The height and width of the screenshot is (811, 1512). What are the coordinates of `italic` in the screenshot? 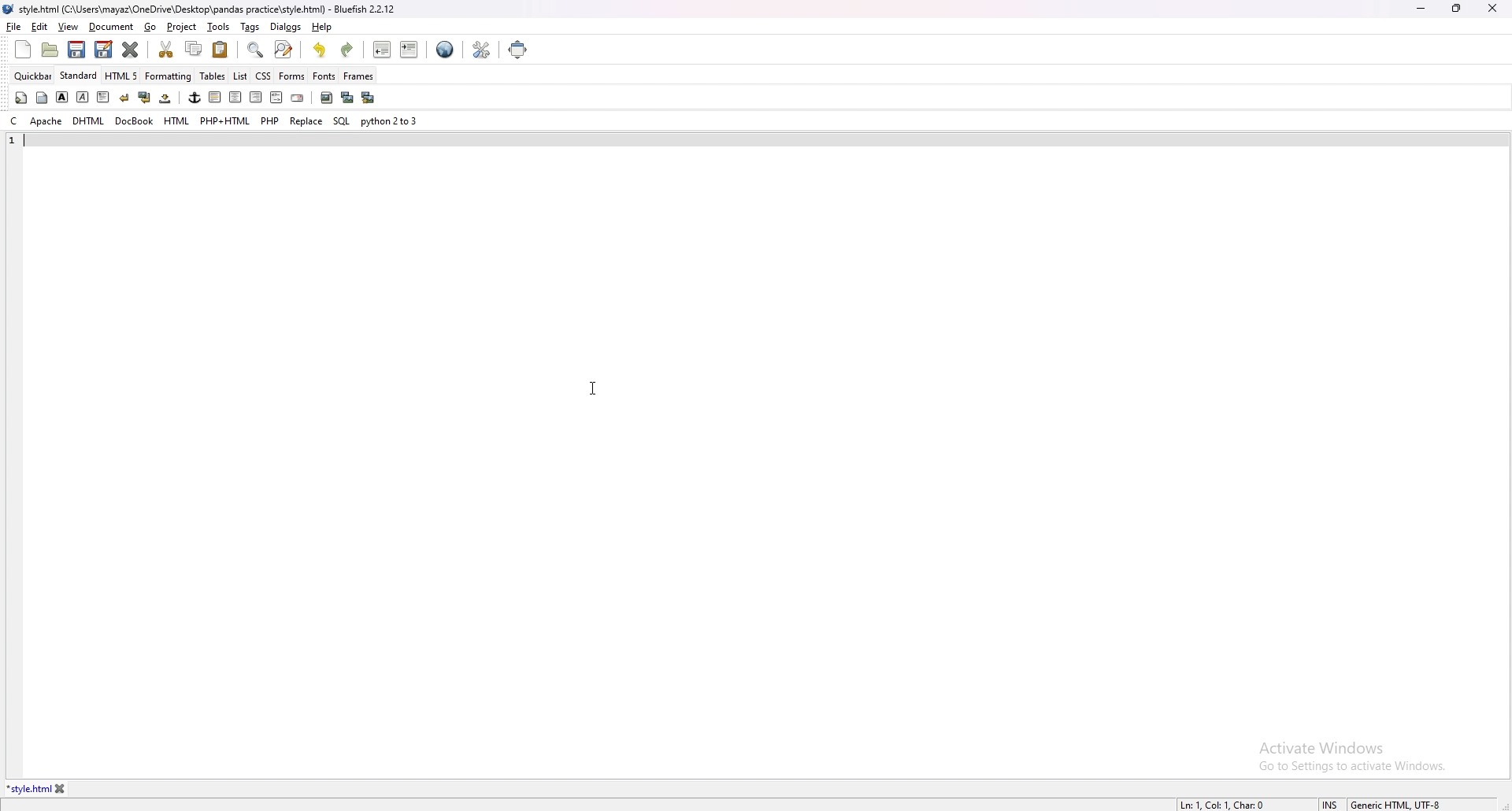 It's located at (83, 96).